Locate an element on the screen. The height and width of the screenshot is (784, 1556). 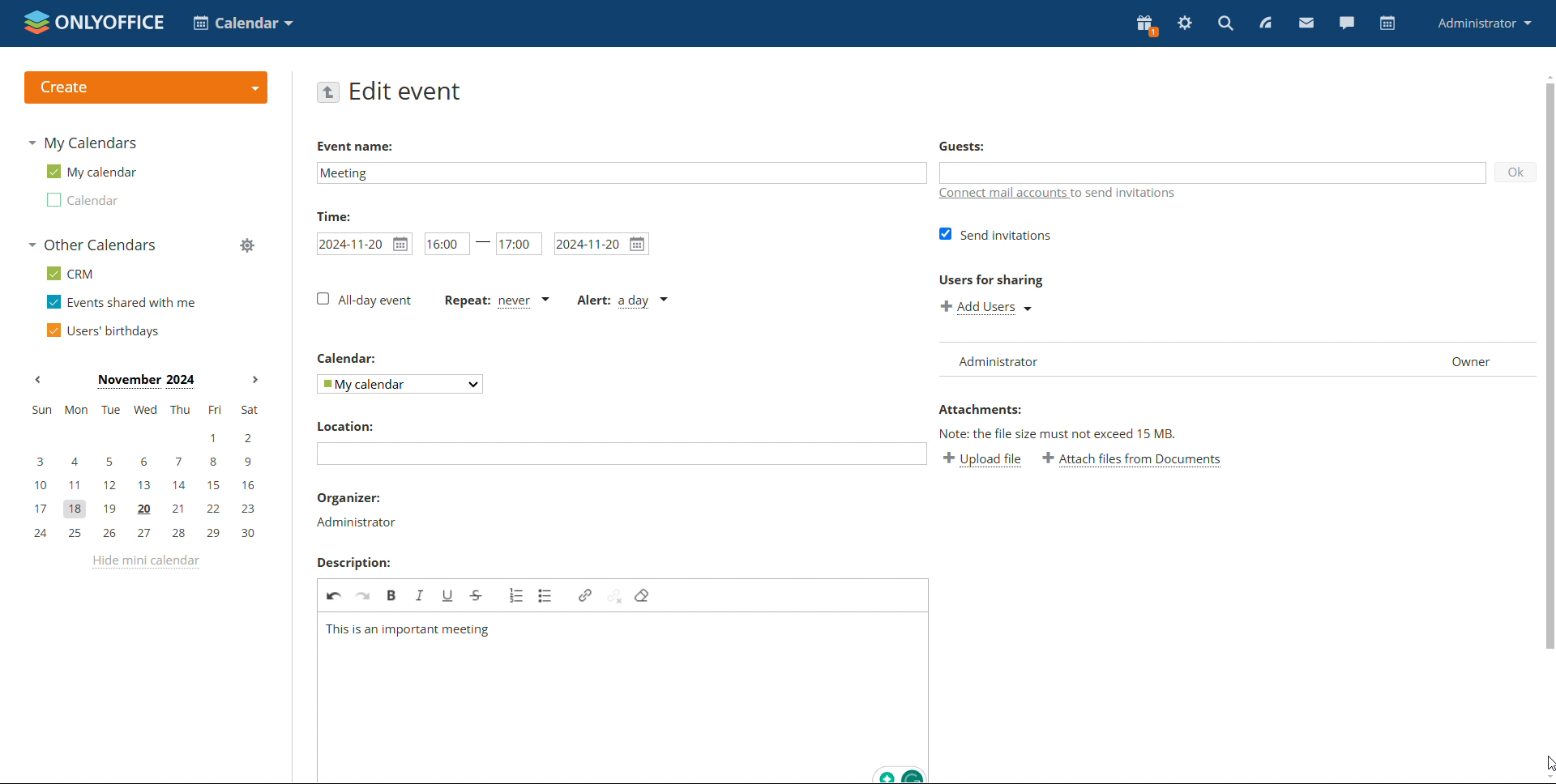
remove format is located at coordinates (643, 596).